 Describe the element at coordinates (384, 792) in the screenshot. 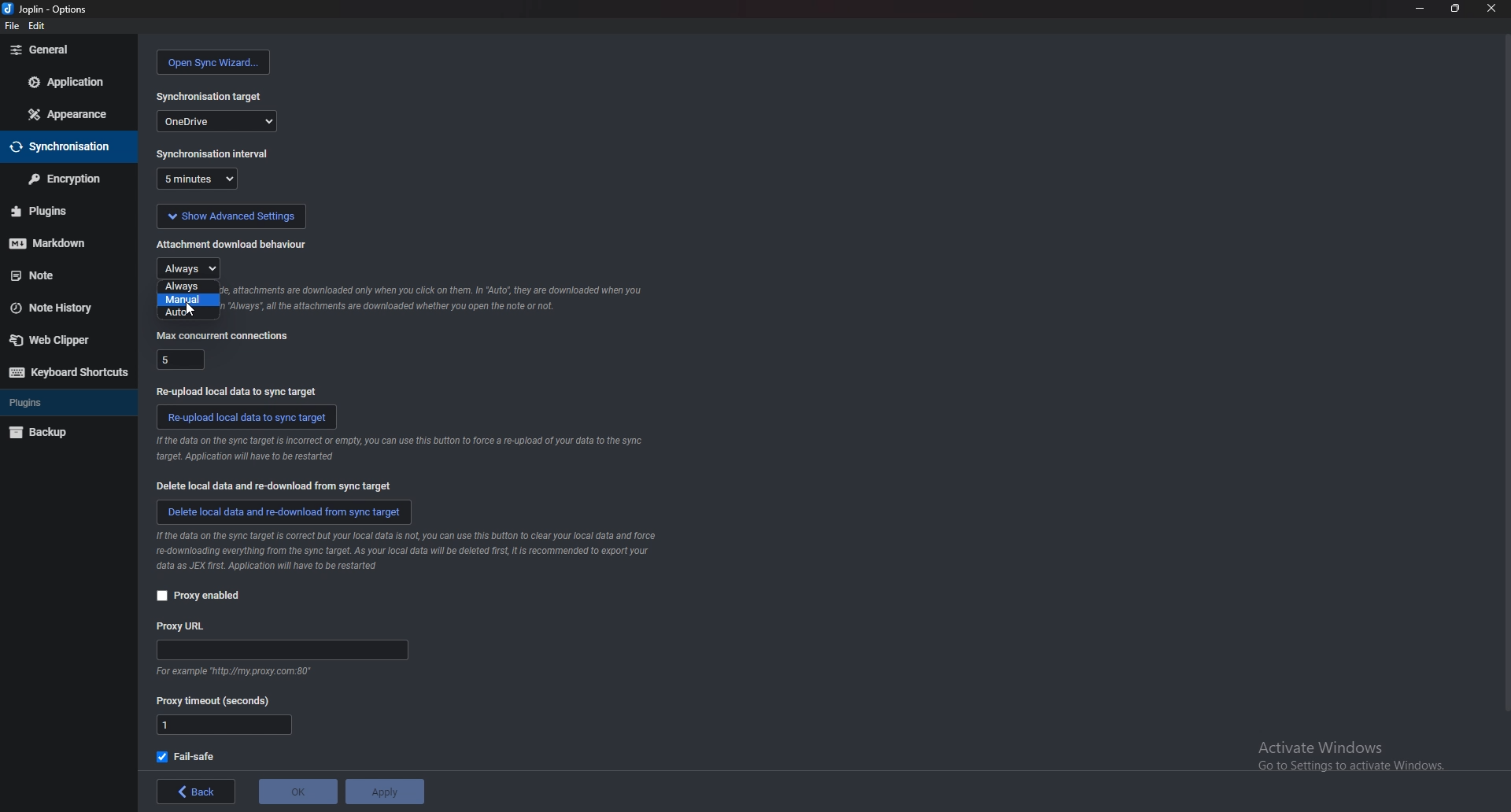

I see `apply` at that location.